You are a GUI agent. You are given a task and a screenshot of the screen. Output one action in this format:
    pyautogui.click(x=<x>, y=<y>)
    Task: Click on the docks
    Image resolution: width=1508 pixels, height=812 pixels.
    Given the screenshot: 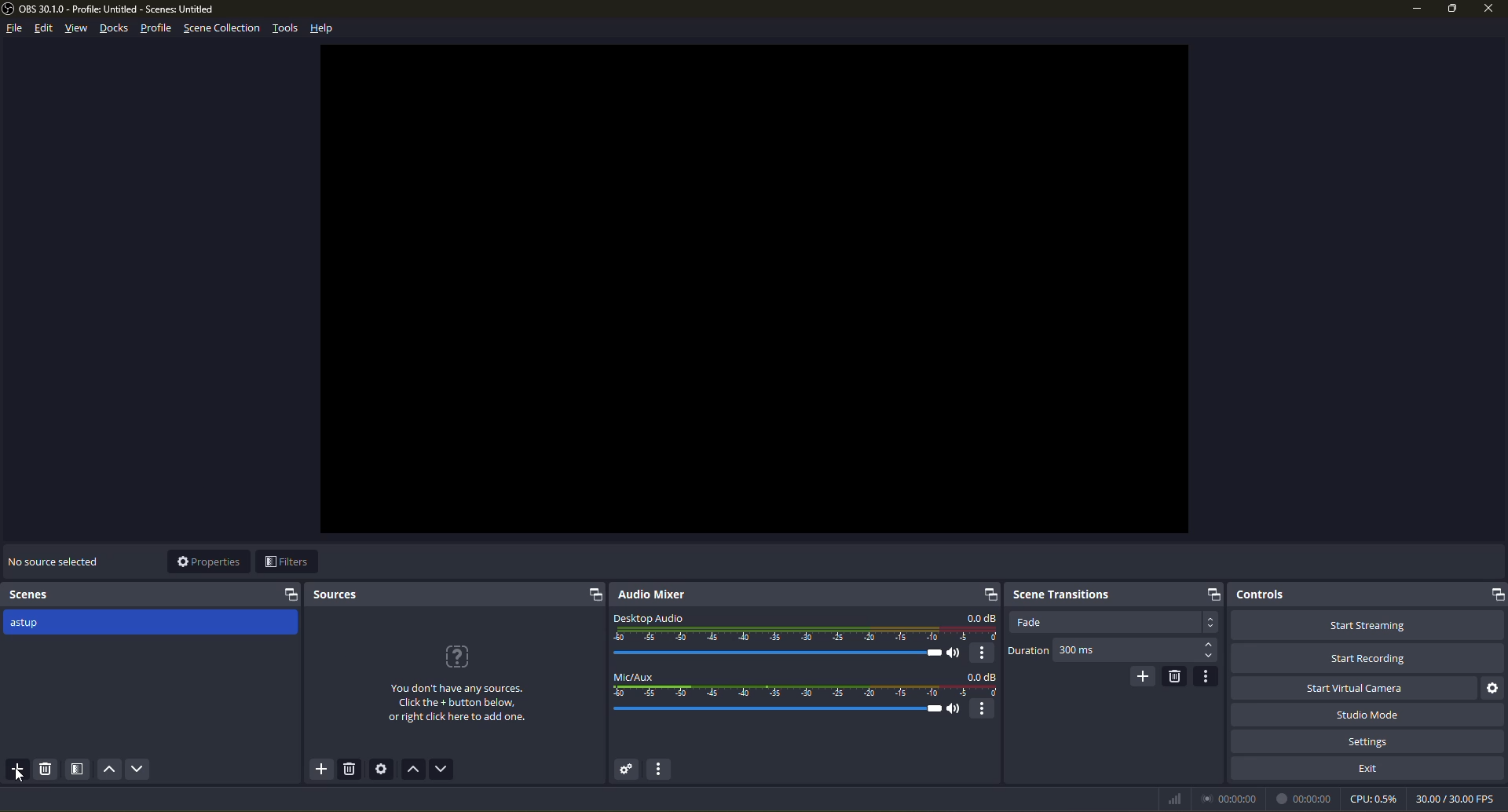 What is the action you would take?
    pyautogui.click(x=114, y=30)
    